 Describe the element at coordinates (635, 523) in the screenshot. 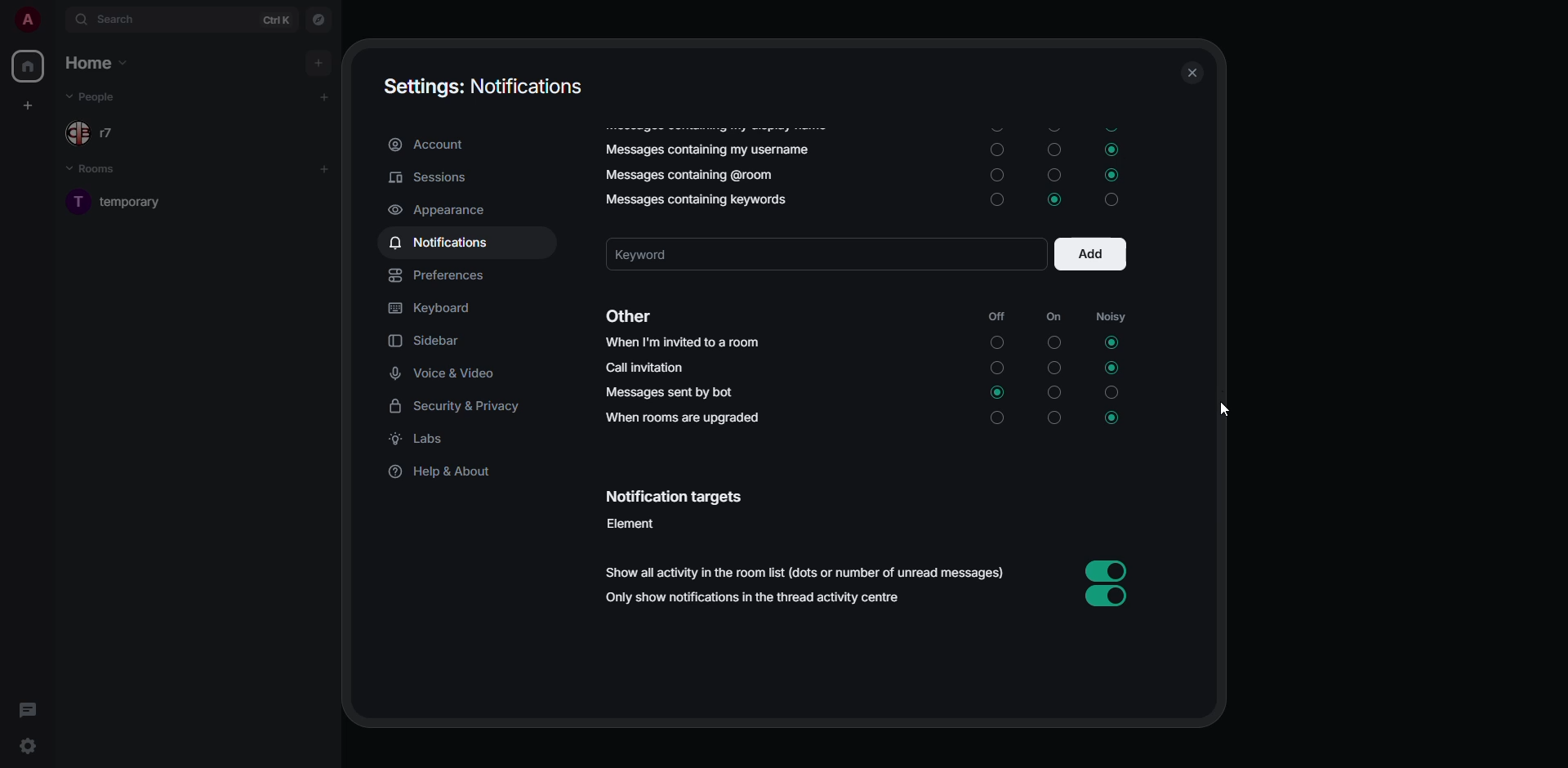

I see `element` at that location.